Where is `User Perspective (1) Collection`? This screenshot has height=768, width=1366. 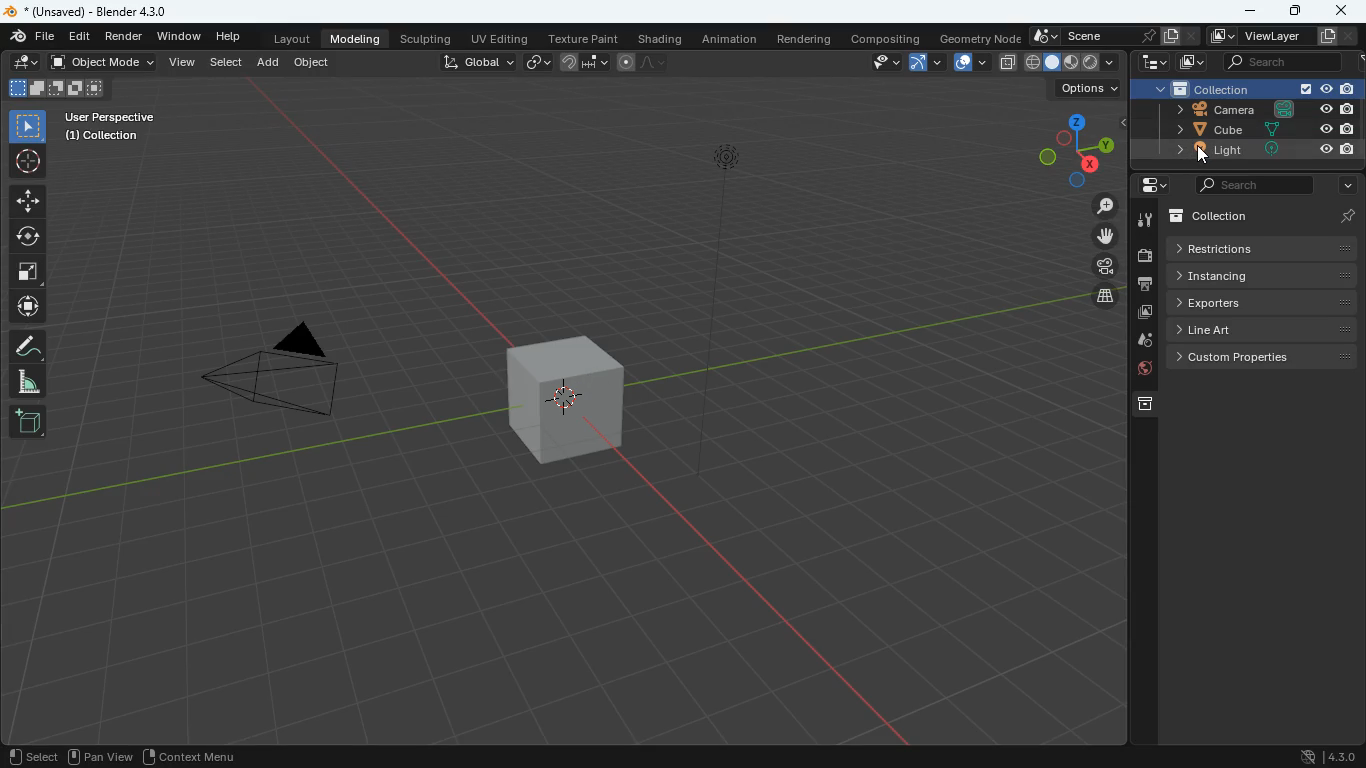
User Perspective (1) Collection is located at coordinates (107, 126).